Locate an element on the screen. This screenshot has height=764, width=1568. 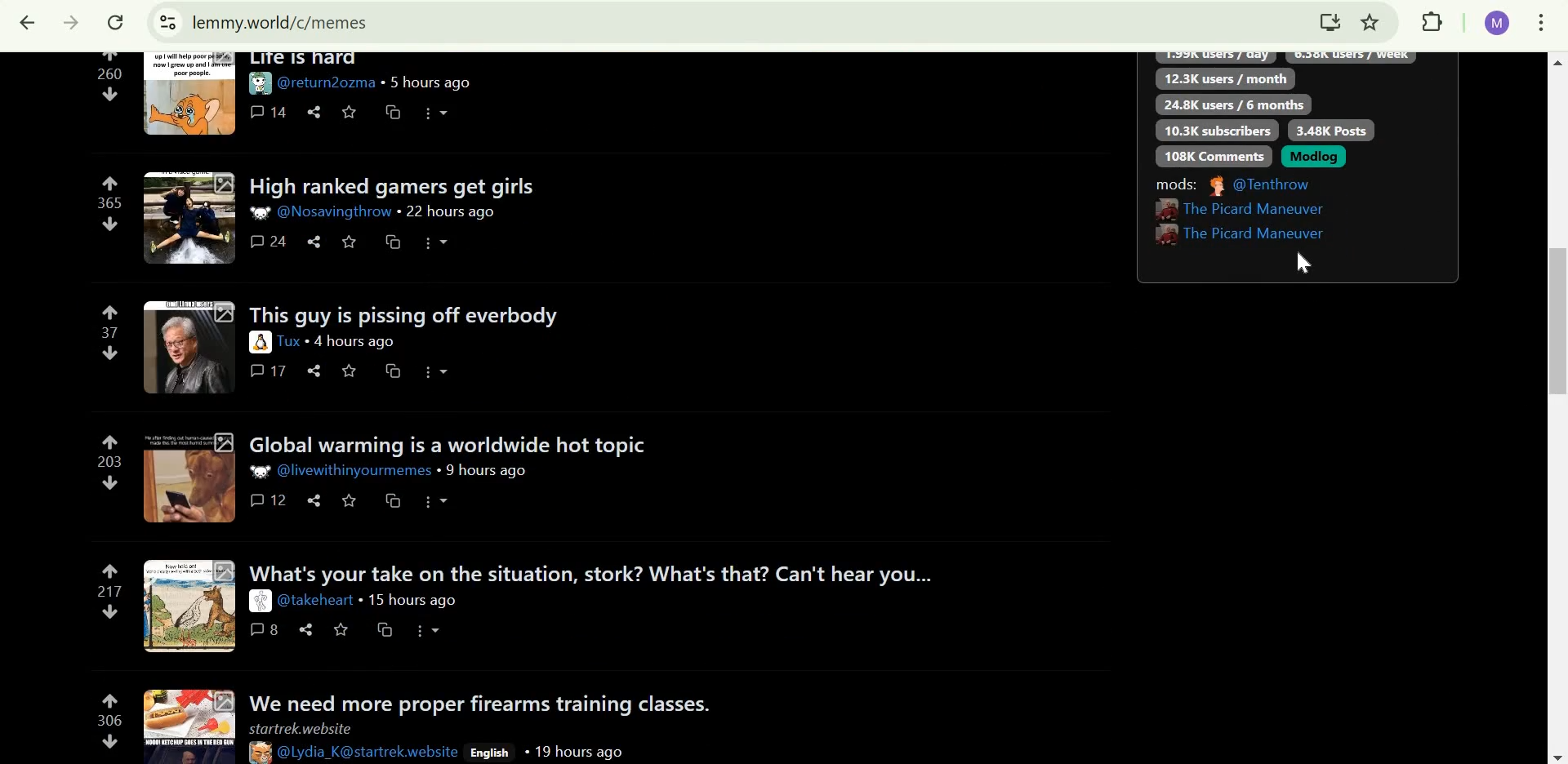
203 points is located at coordinates (108, 461).